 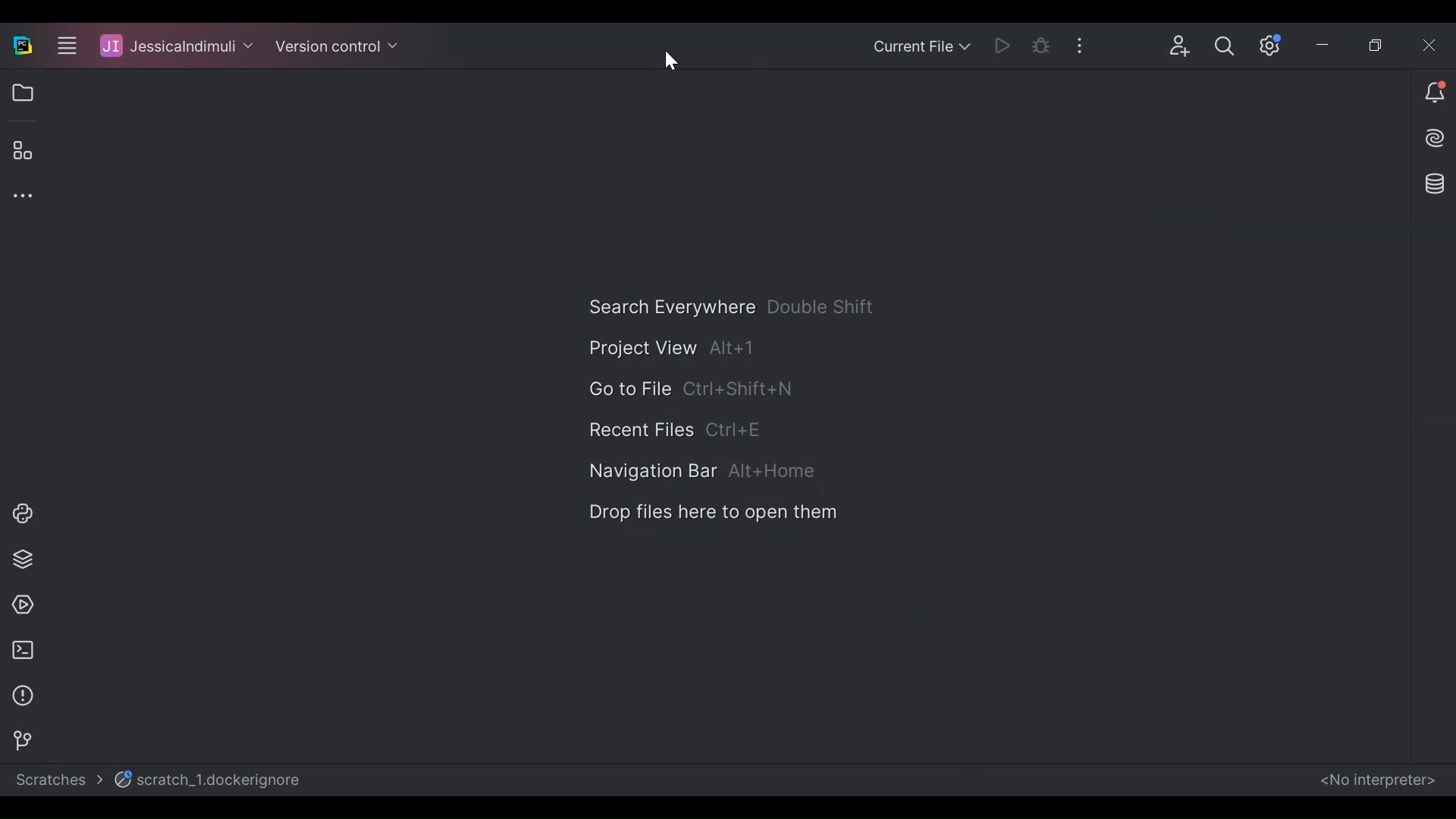 What do you see at coordinates (923, 47) in the screenshot?
I see `Current file` at bounding box center [923, 47].